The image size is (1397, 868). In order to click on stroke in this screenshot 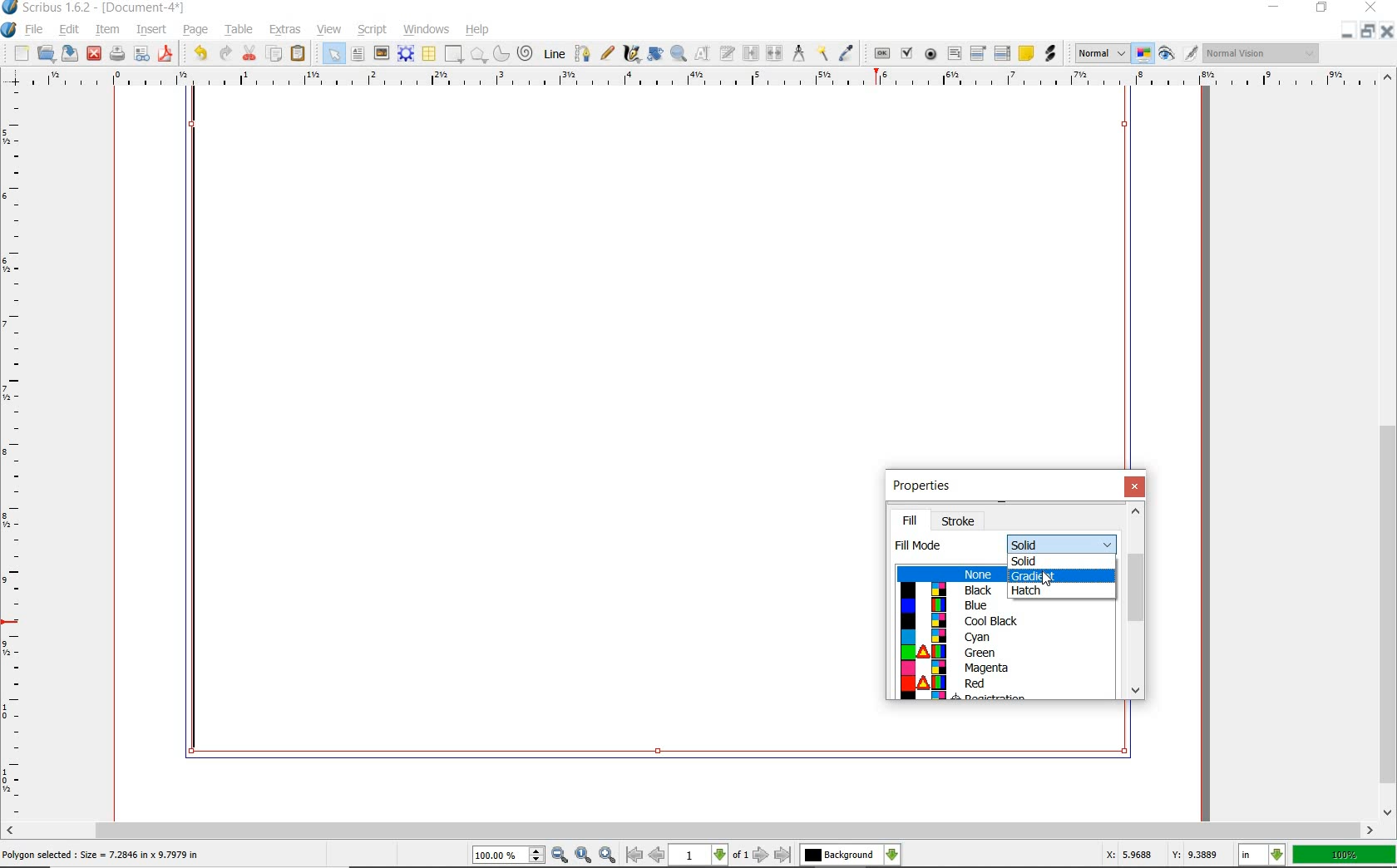, I will do `click(960, 520)`.